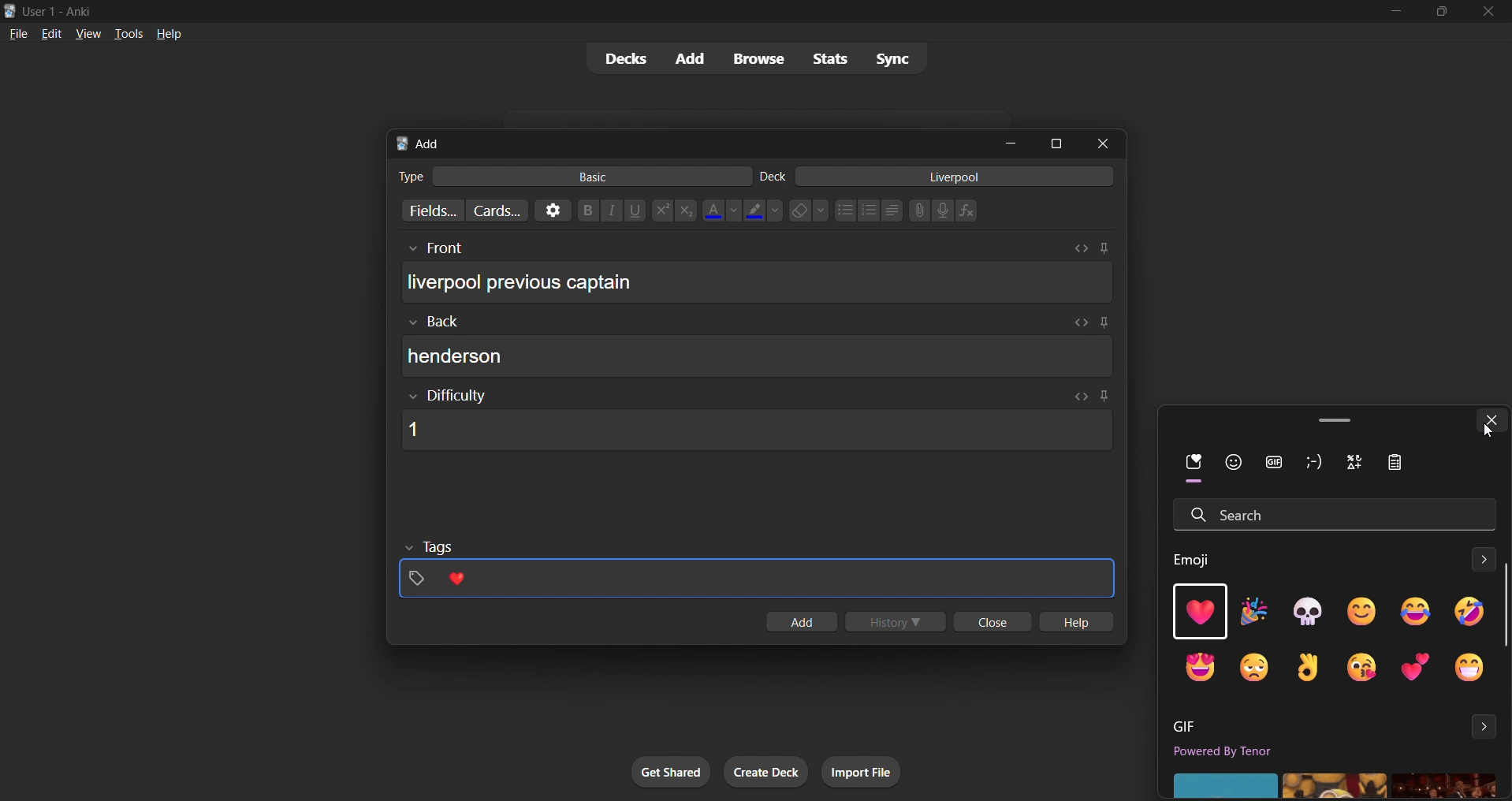  I want to click on icon , so click(1399, 464).